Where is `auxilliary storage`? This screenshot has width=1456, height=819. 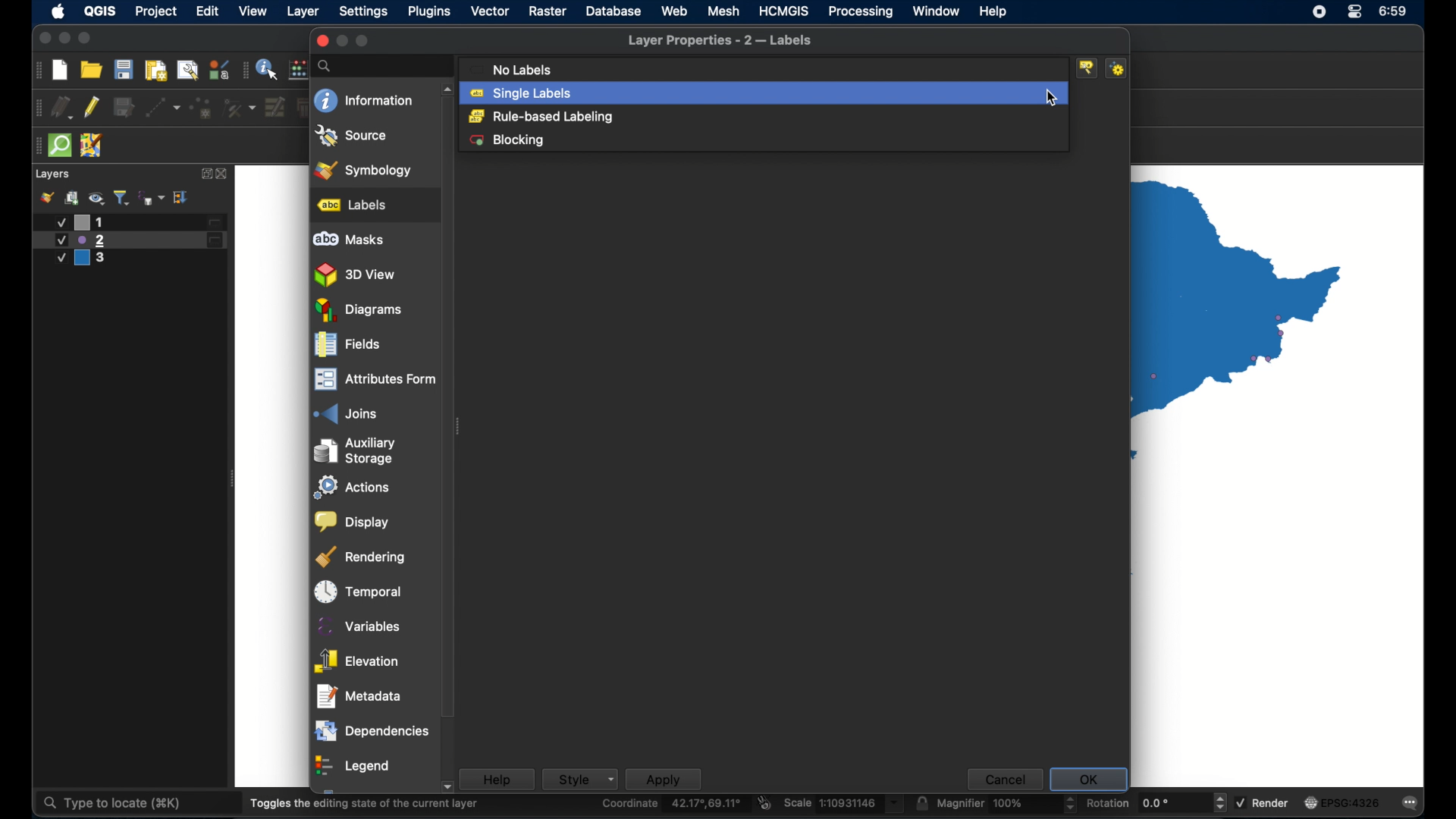 auxilliary storage is located at coordinates (359, 450).